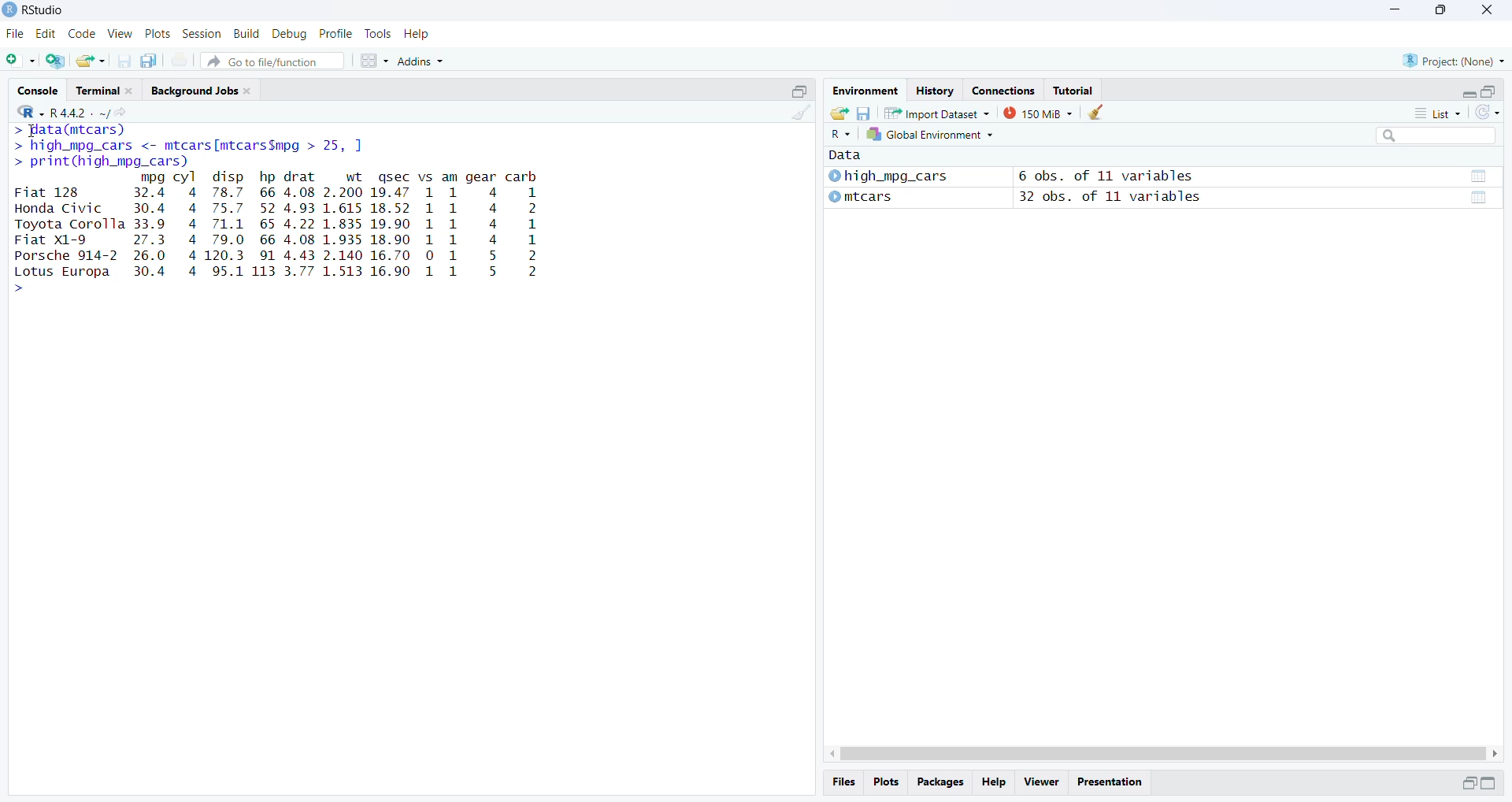  What do you see at coordinates (1437, 112) in the screenshot?
I see `List` at bounding box center [1437, 112].